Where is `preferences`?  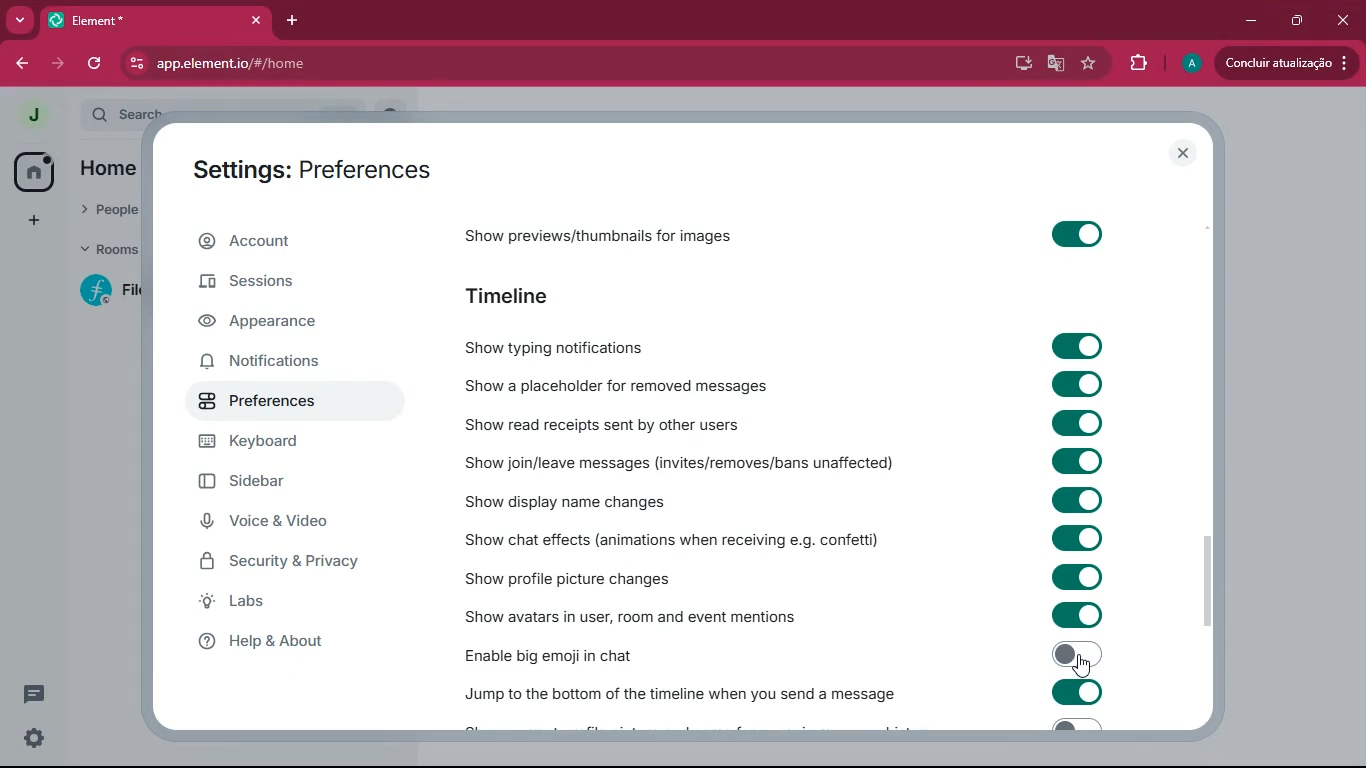 preferences is located at coordinates (283, 403).